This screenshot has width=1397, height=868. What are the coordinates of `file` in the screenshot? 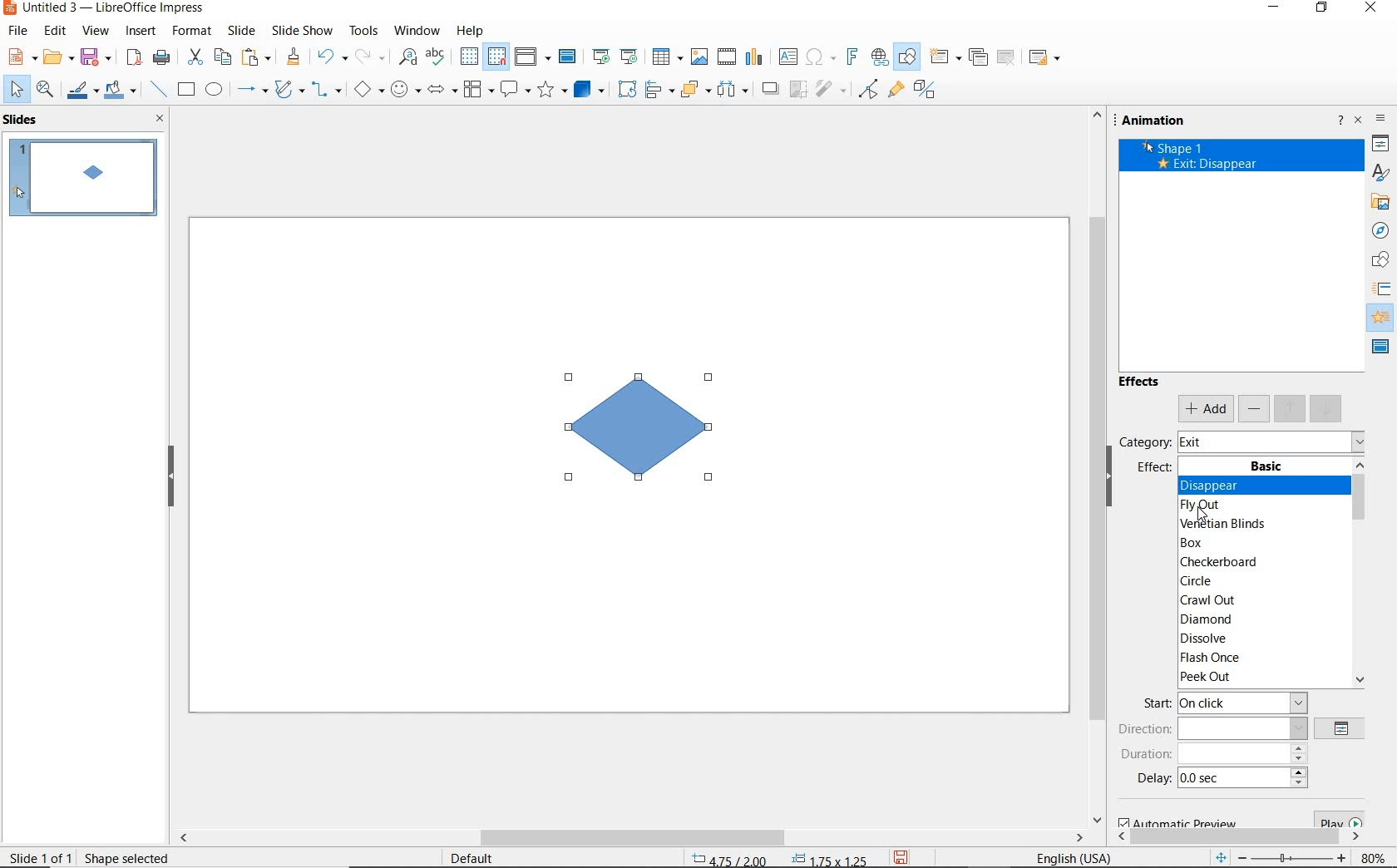 It's located at (20, 31).